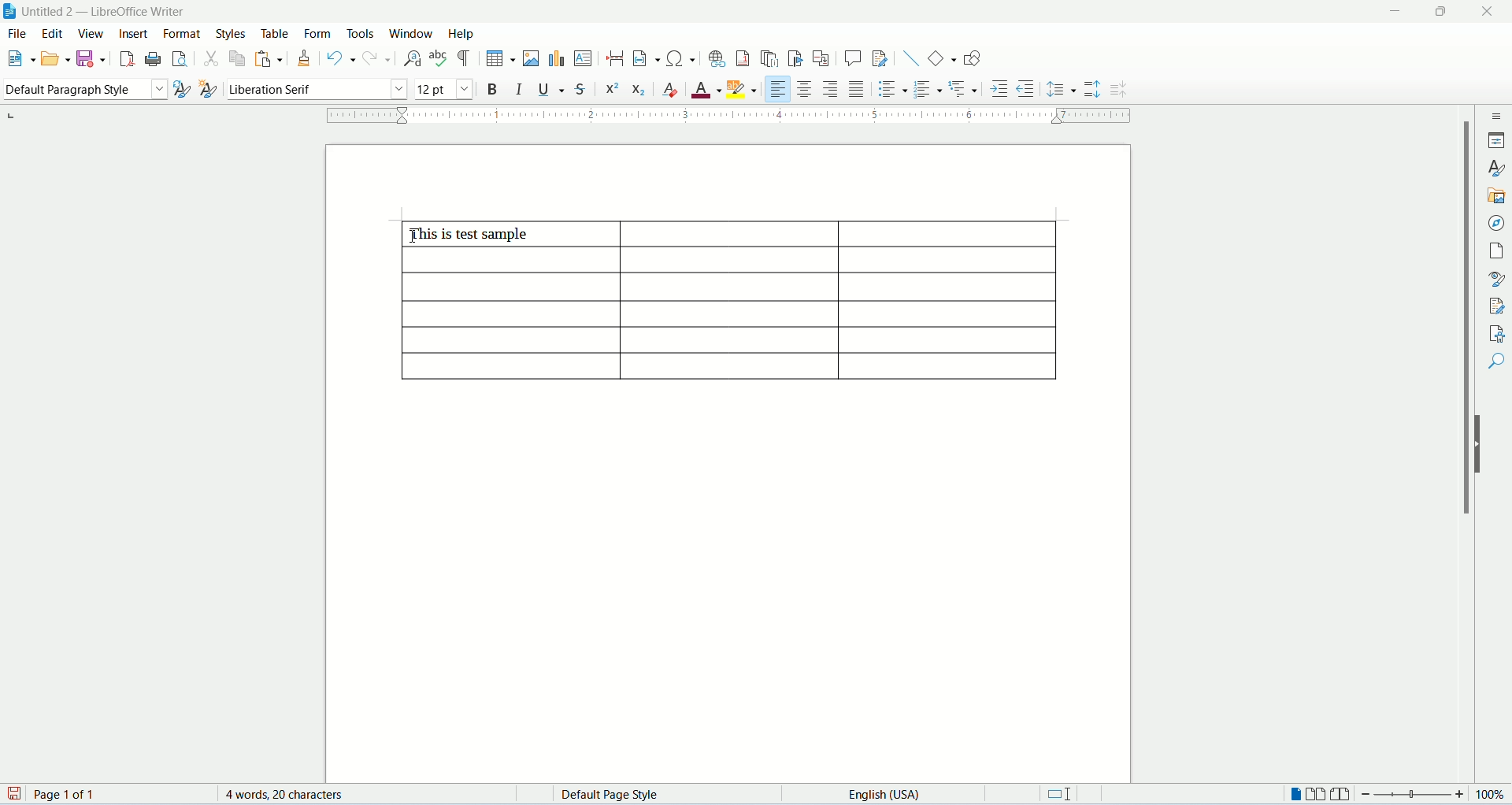 The image size is (1512, 805). What do you see at coordinates (413, 33) in the screenshot?
I see `window` at bounding box center [413, 33].